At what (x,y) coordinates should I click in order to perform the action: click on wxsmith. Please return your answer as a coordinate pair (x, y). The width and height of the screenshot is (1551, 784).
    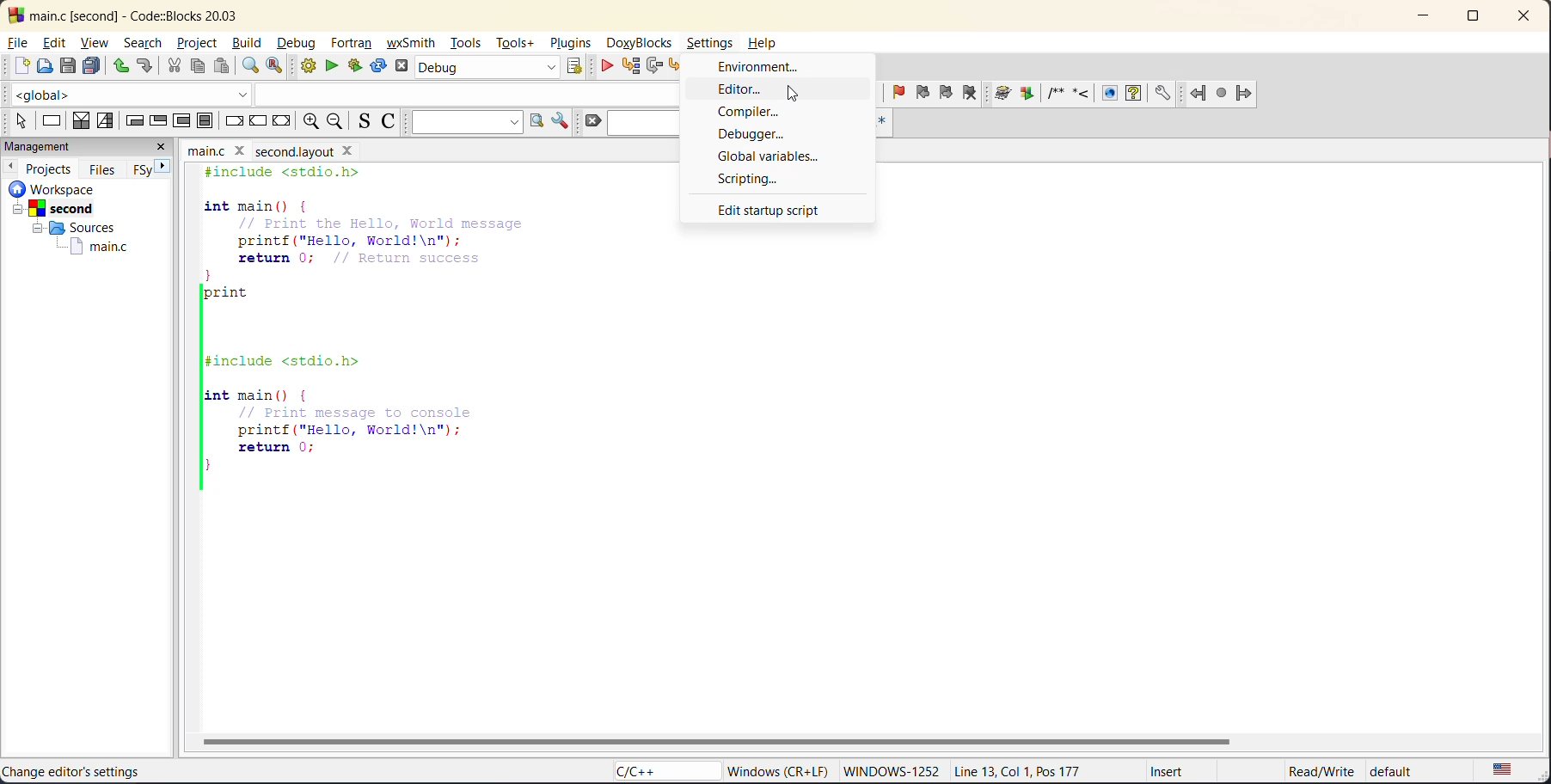
    Looking at the image, I should click on (414, 42).